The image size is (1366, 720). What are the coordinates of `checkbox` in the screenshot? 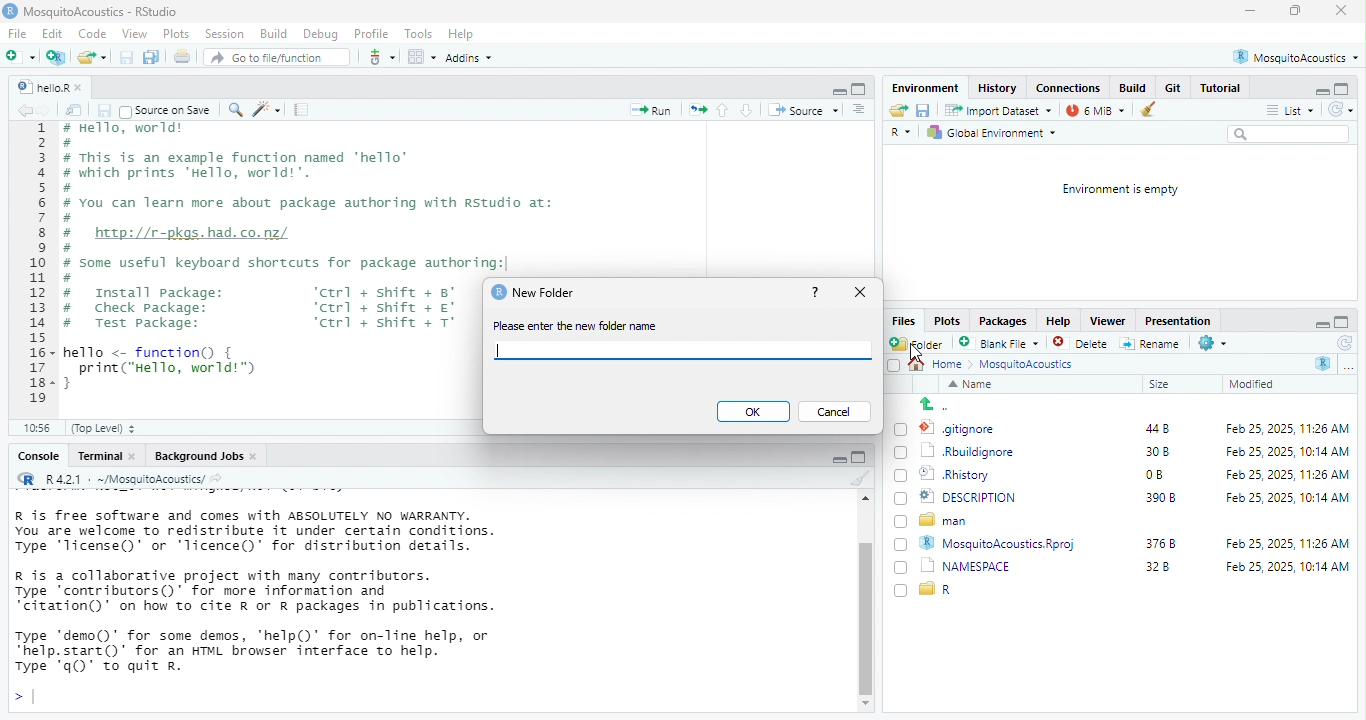 It's located at (902, 428).